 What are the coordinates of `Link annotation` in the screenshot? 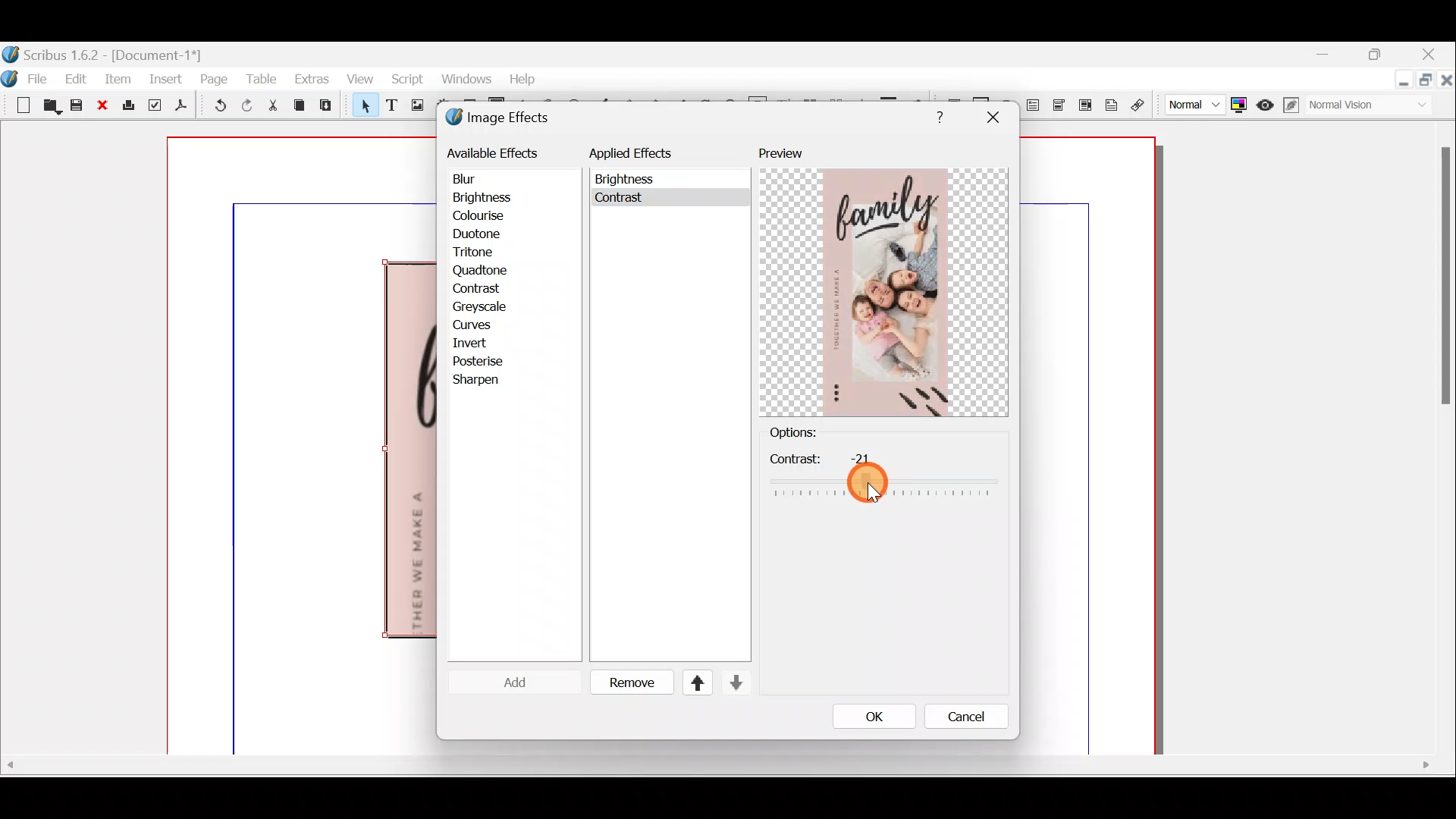 It's located at (1140, 105).